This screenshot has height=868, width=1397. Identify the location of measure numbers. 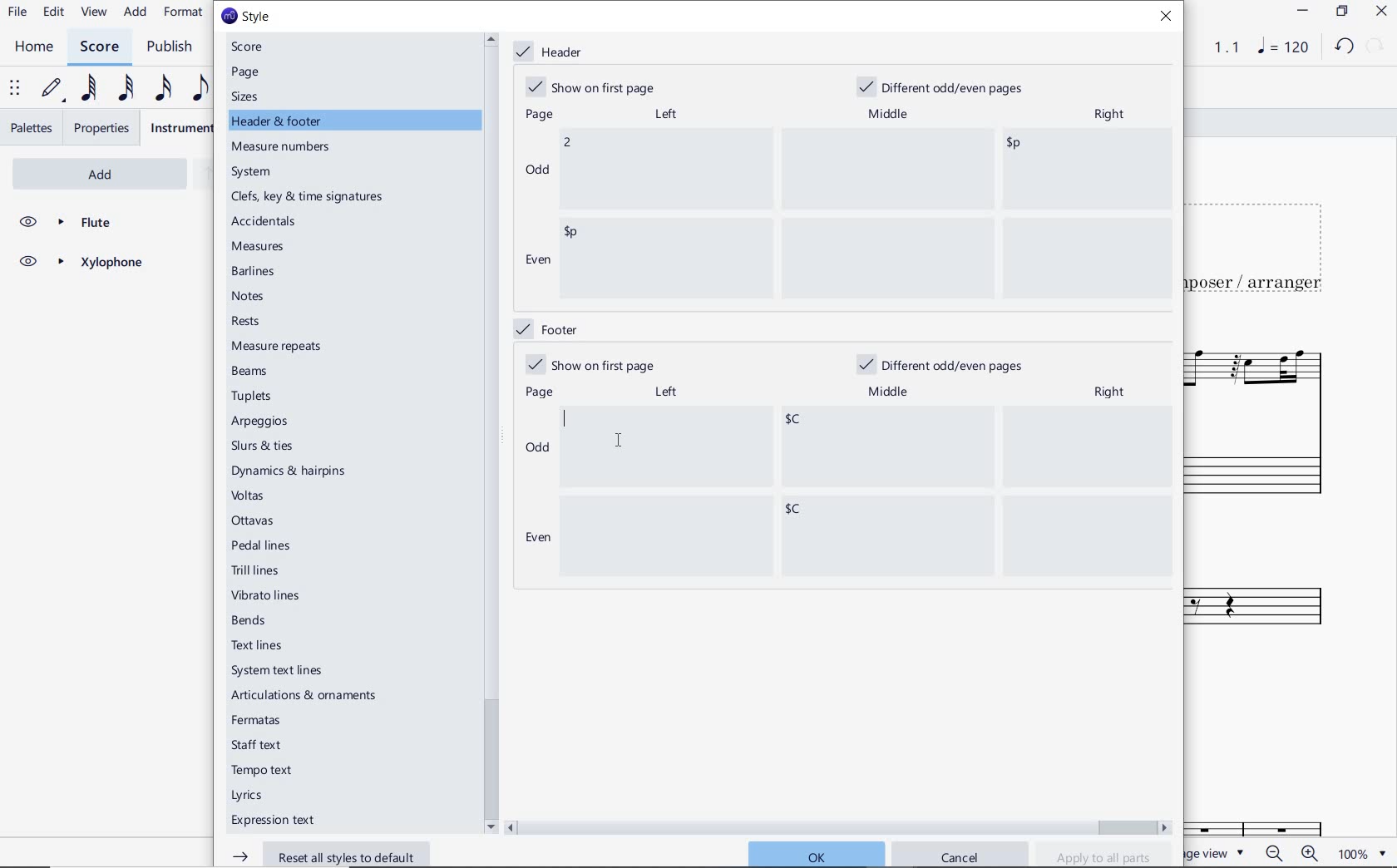
(284, 148).